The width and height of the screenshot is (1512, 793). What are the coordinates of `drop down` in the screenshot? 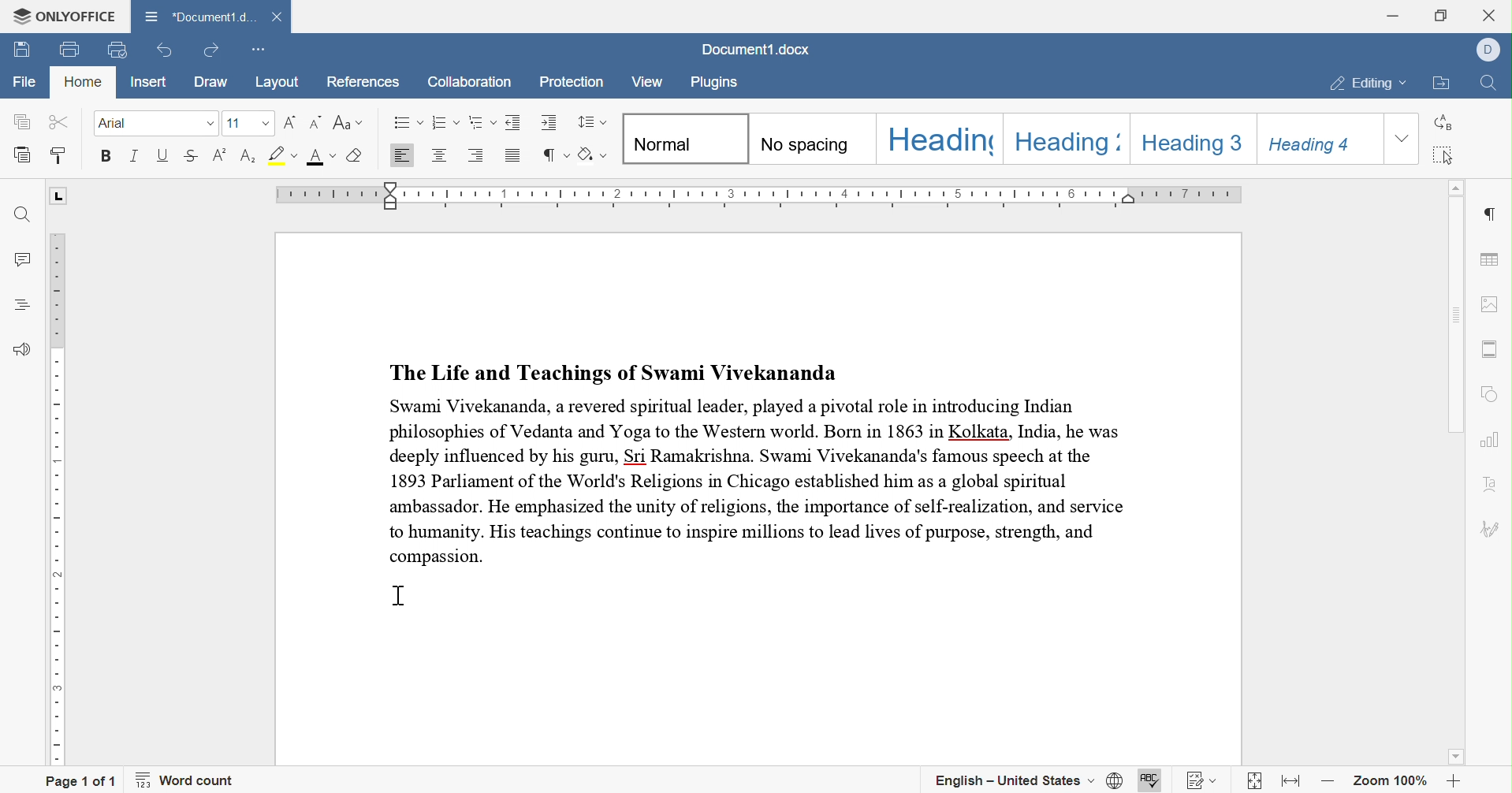 It's located at (1403, 139).